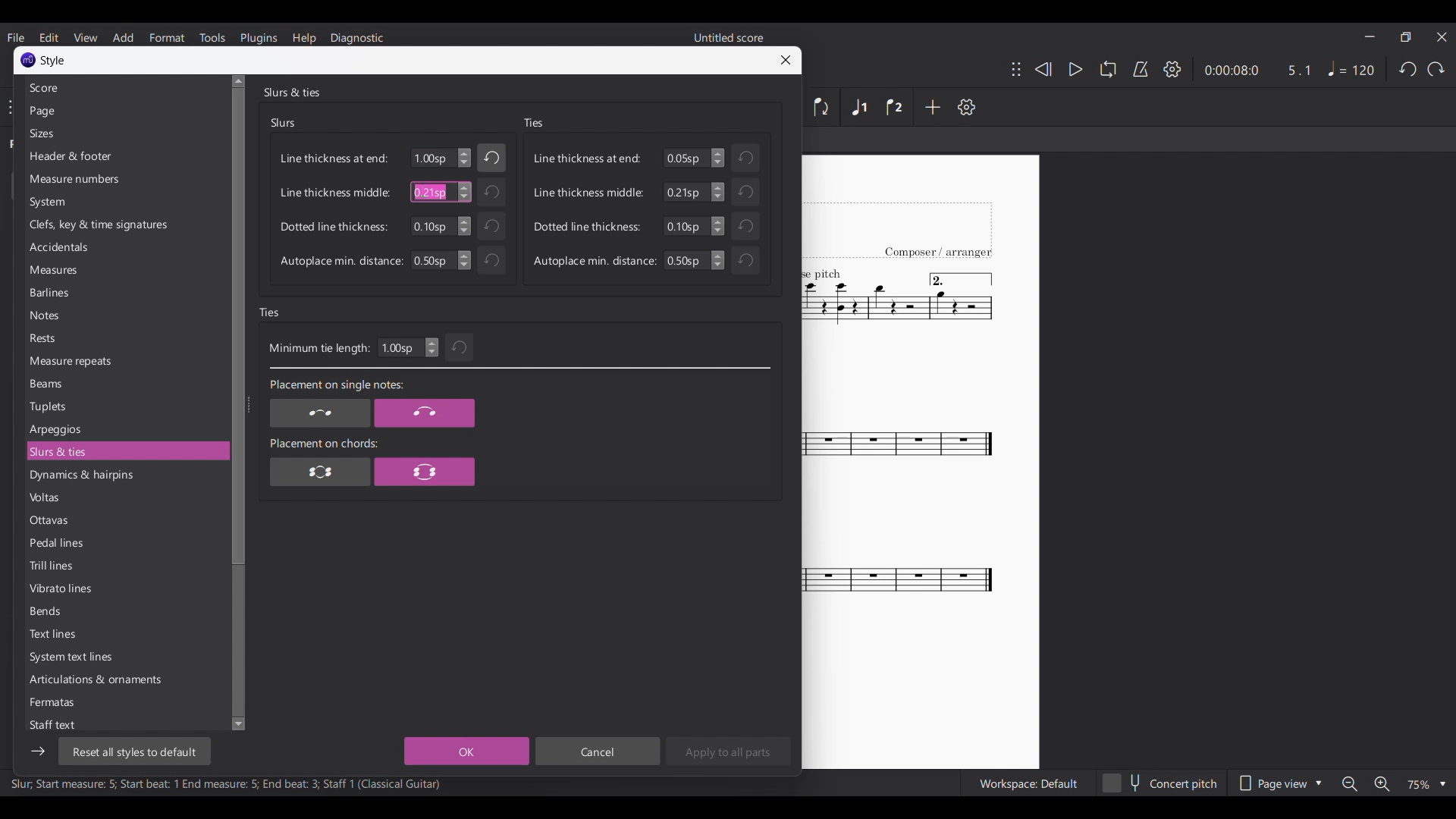 The height and width of the screenshot is (819, 1456). Describe the element at coordinates (464, 192) in the screenshot. I see `Increase/Decrease line thickness middle` at that location.